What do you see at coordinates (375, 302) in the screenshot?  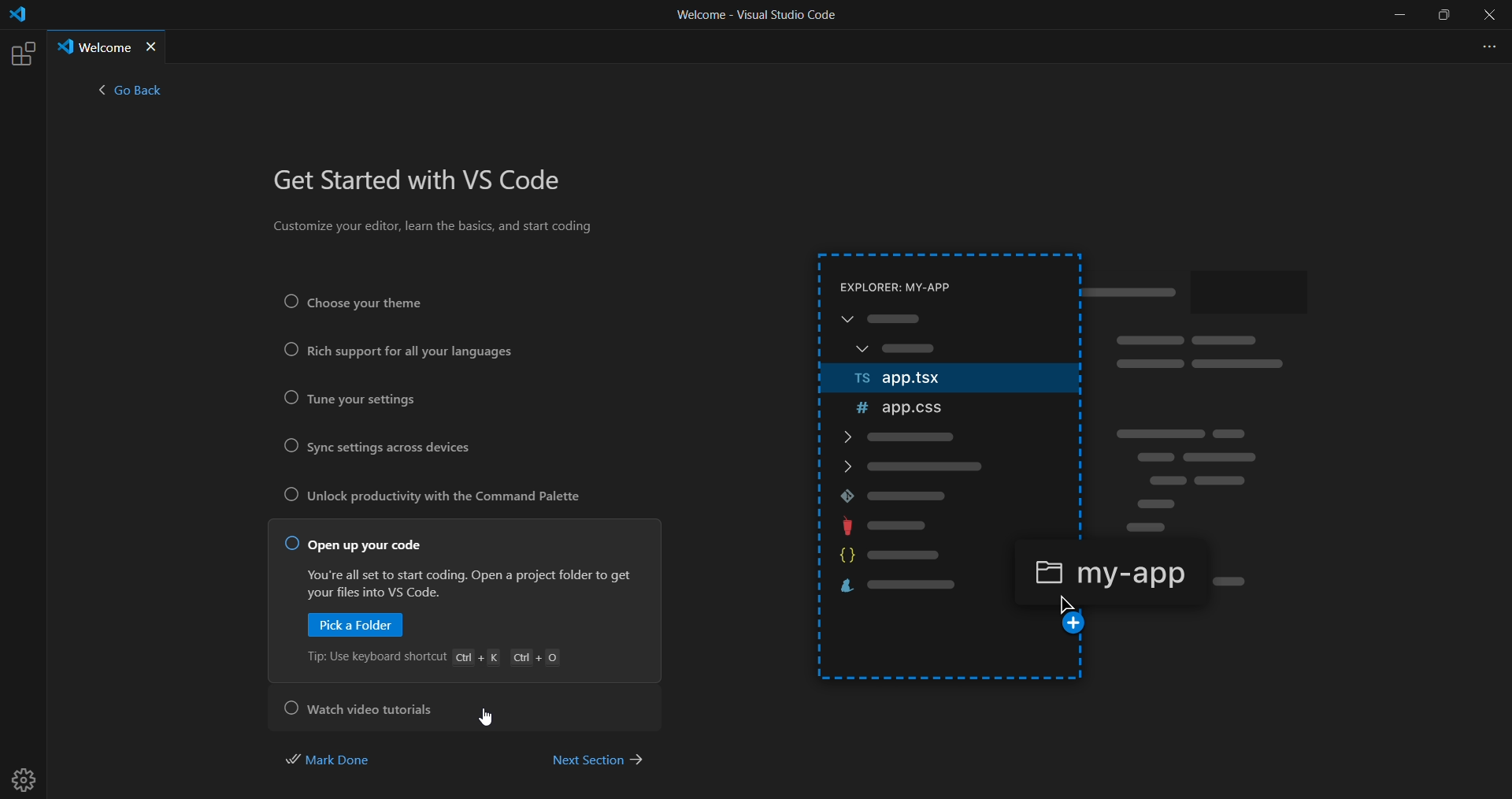 I see `Choose your theme` at bounding box center [375, 302].